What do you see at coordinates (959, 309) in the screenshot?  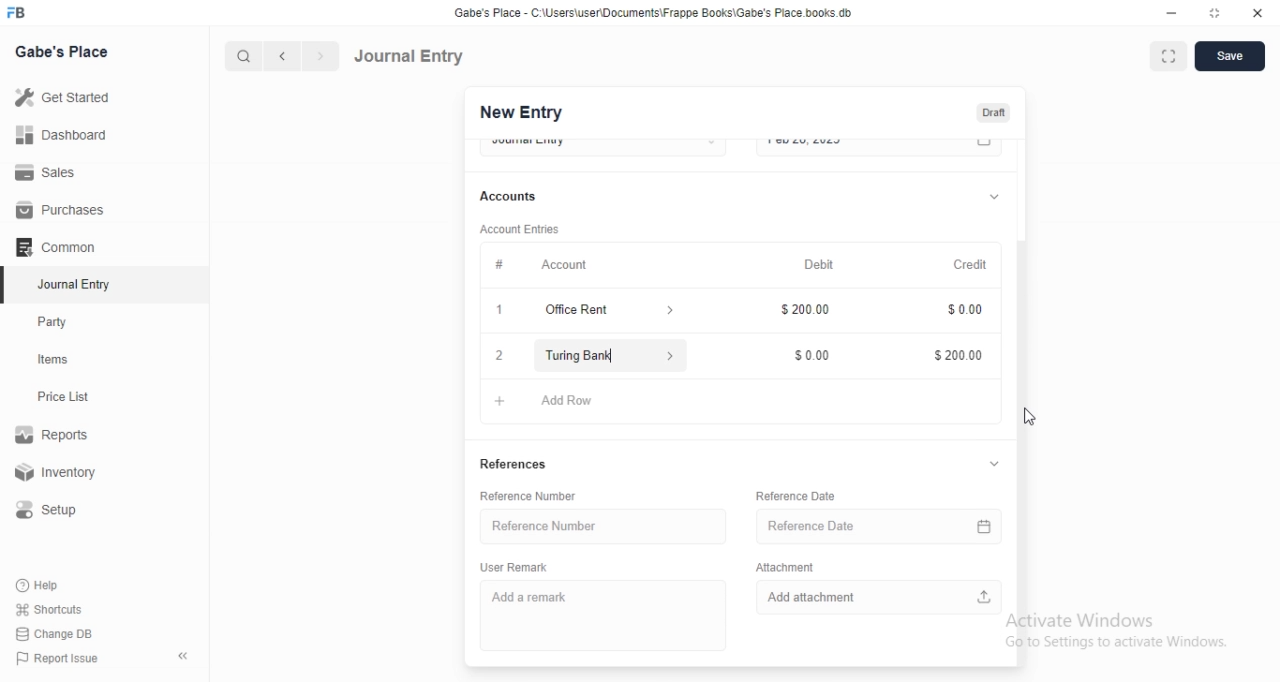 I see `` at bounding box center [959, 309].